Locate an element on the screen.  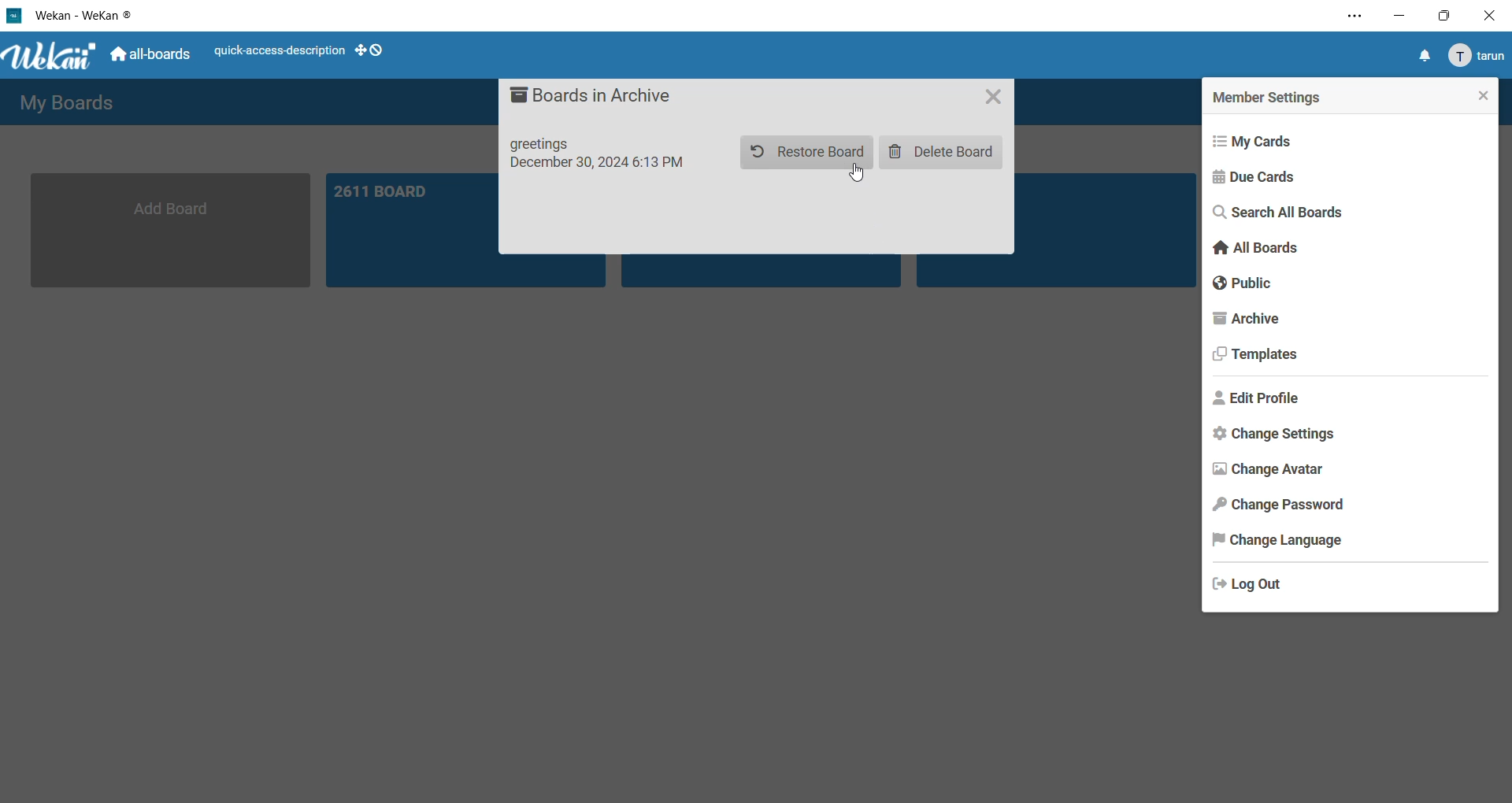
boards in archive is located at coordinates (594, 95).